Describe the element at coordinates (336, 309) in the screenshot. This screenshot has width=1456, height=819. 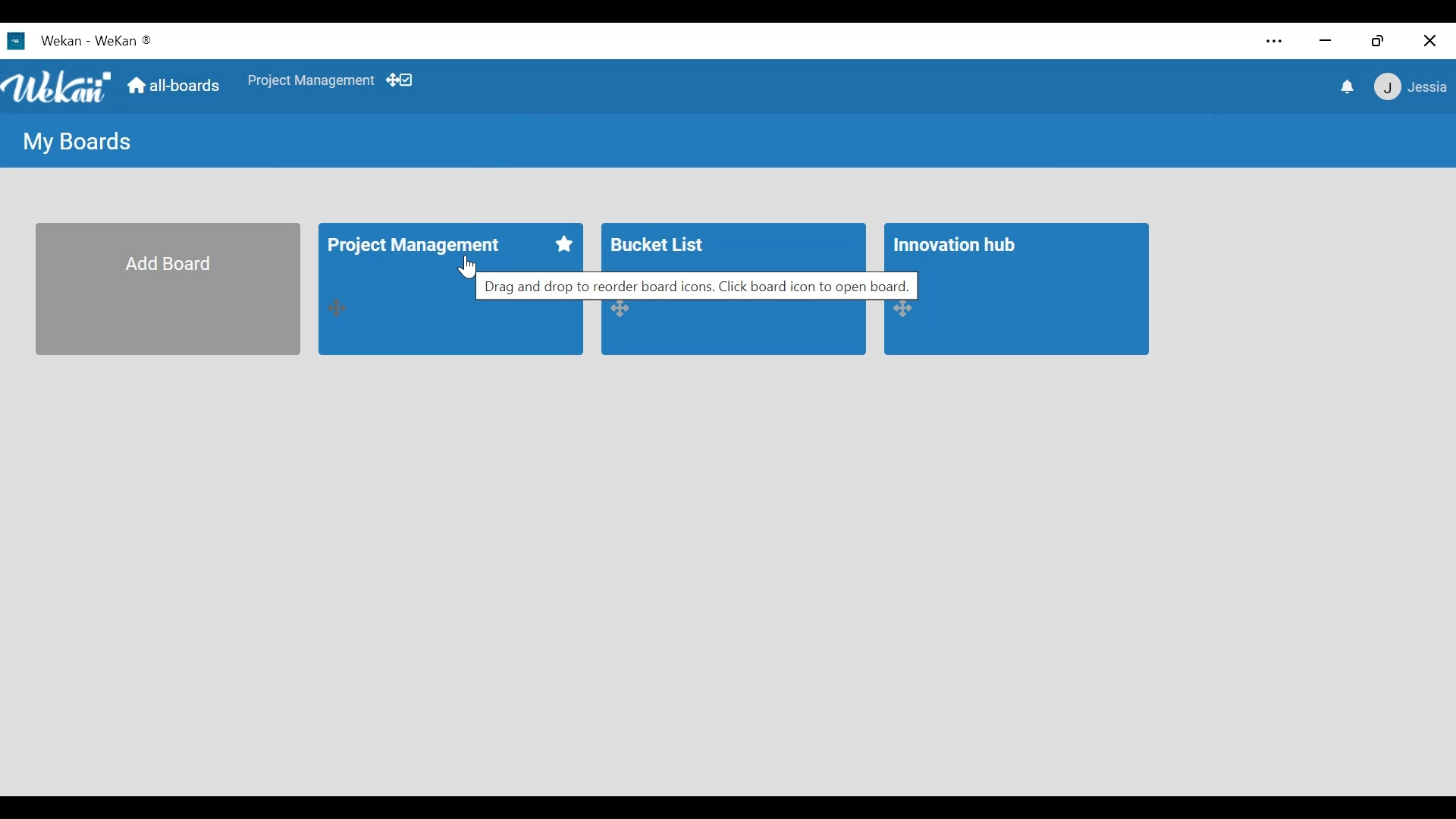
I see `Desktop drag handle` at that location.